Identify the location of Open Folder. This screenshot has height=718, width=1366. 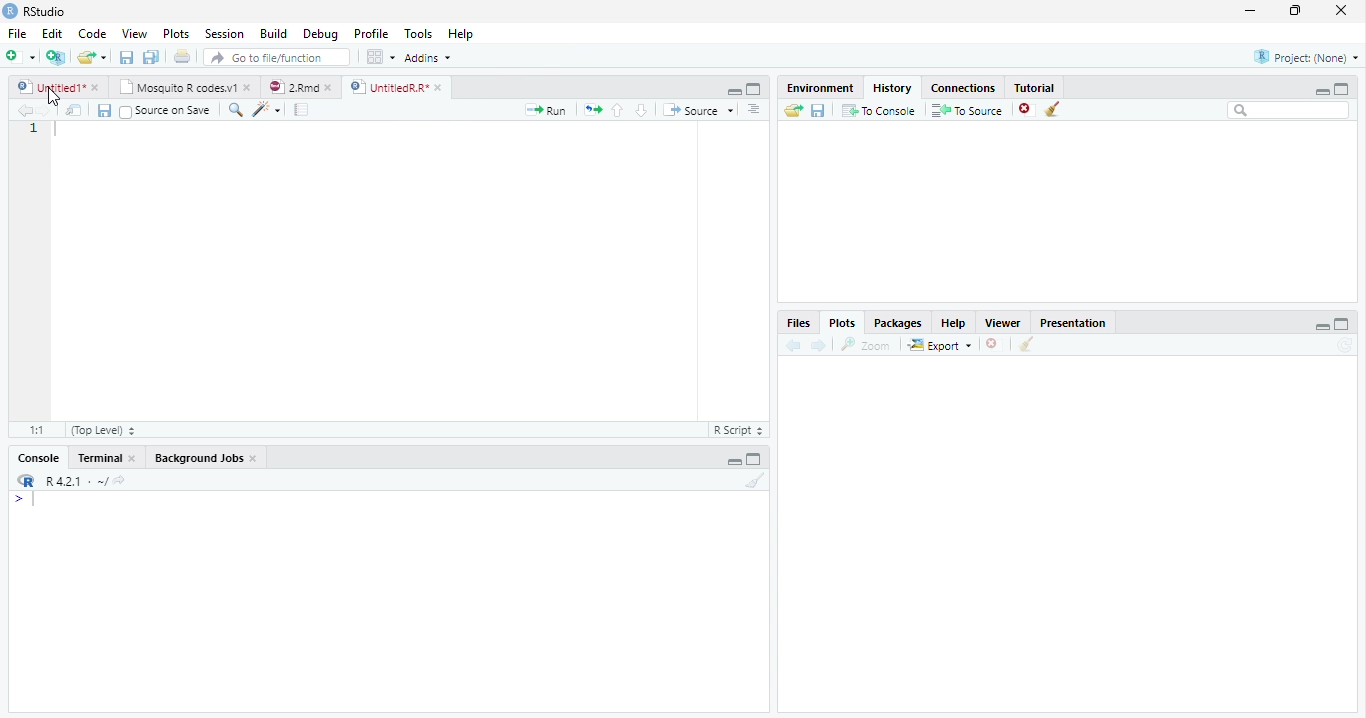
(93, 55).